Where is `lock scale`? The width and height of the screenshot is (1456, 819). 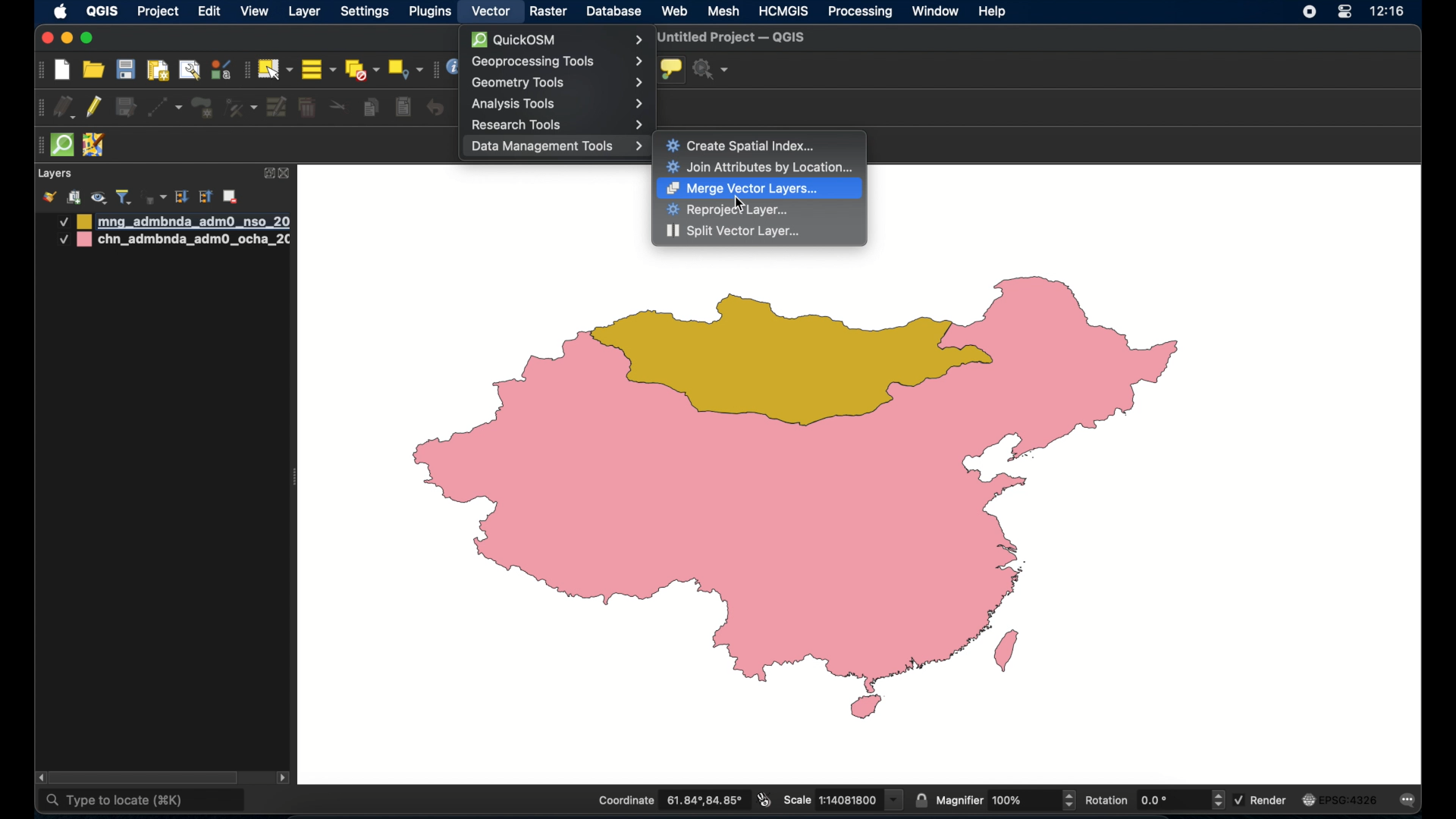
lock scale is located at coordinates (921, 799).